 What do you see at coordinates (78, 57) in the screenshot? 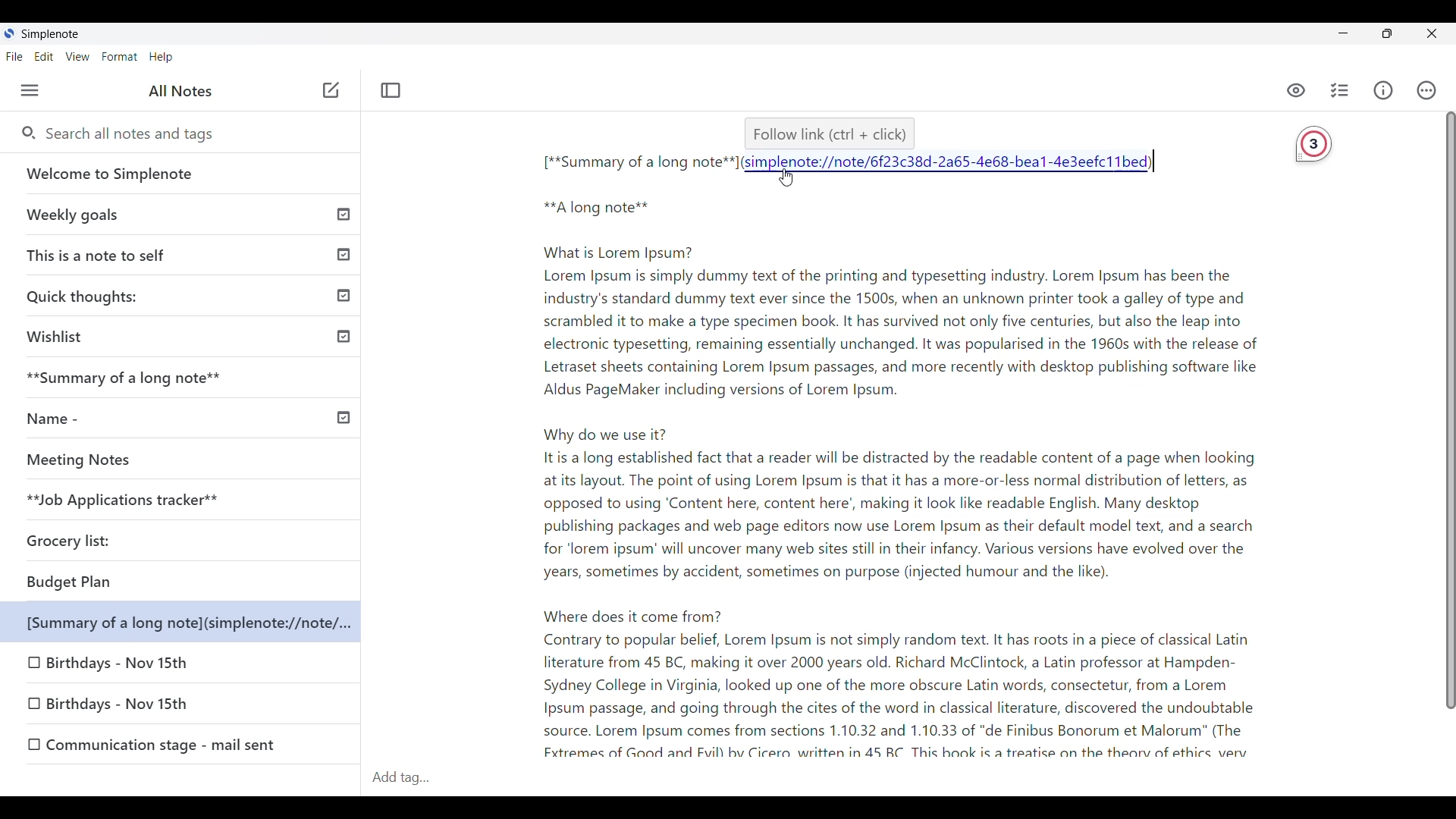
I see `View` at bounding box center [78, 57].